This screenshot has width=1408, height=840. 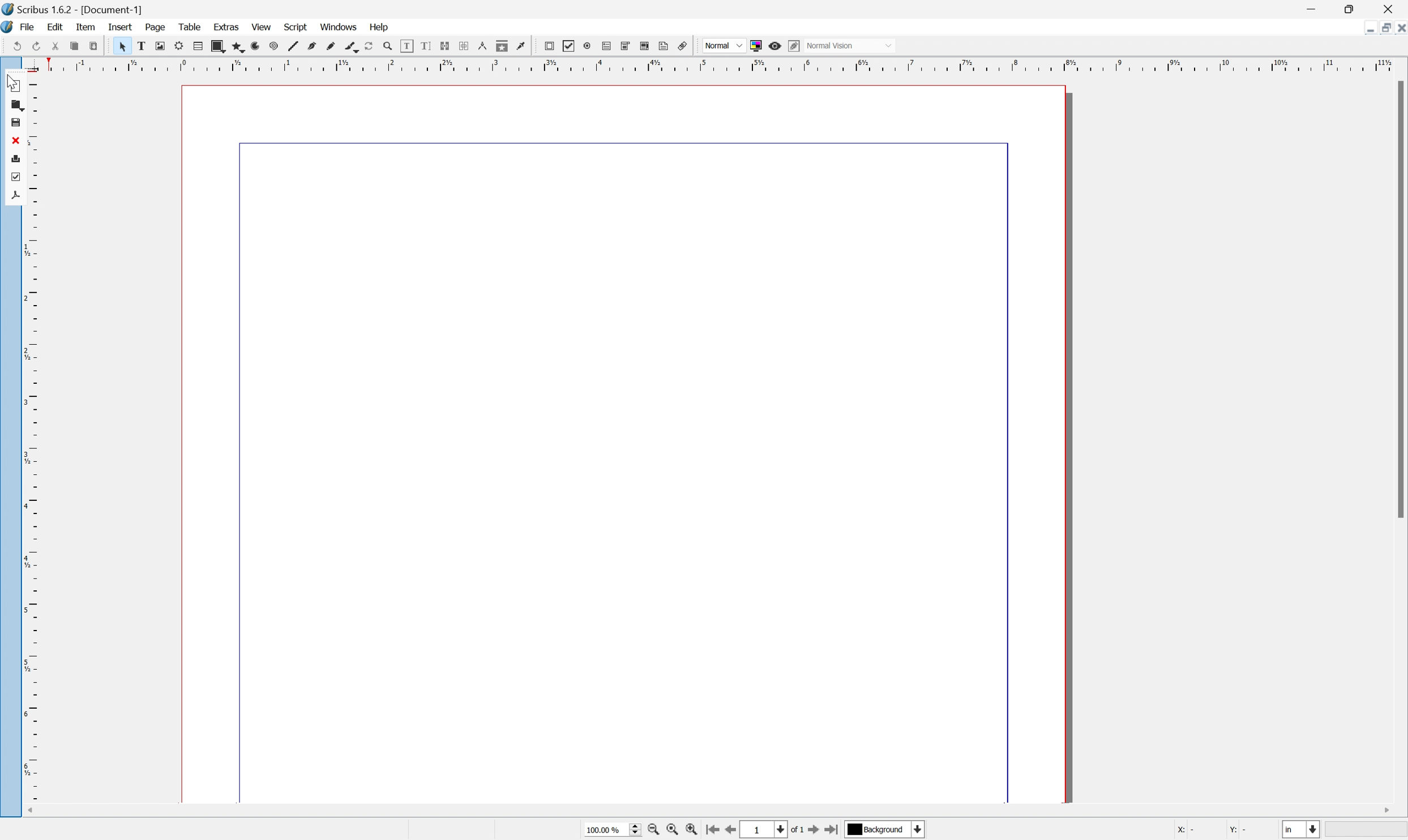 I want to click on line, so click(x=425, y=45).